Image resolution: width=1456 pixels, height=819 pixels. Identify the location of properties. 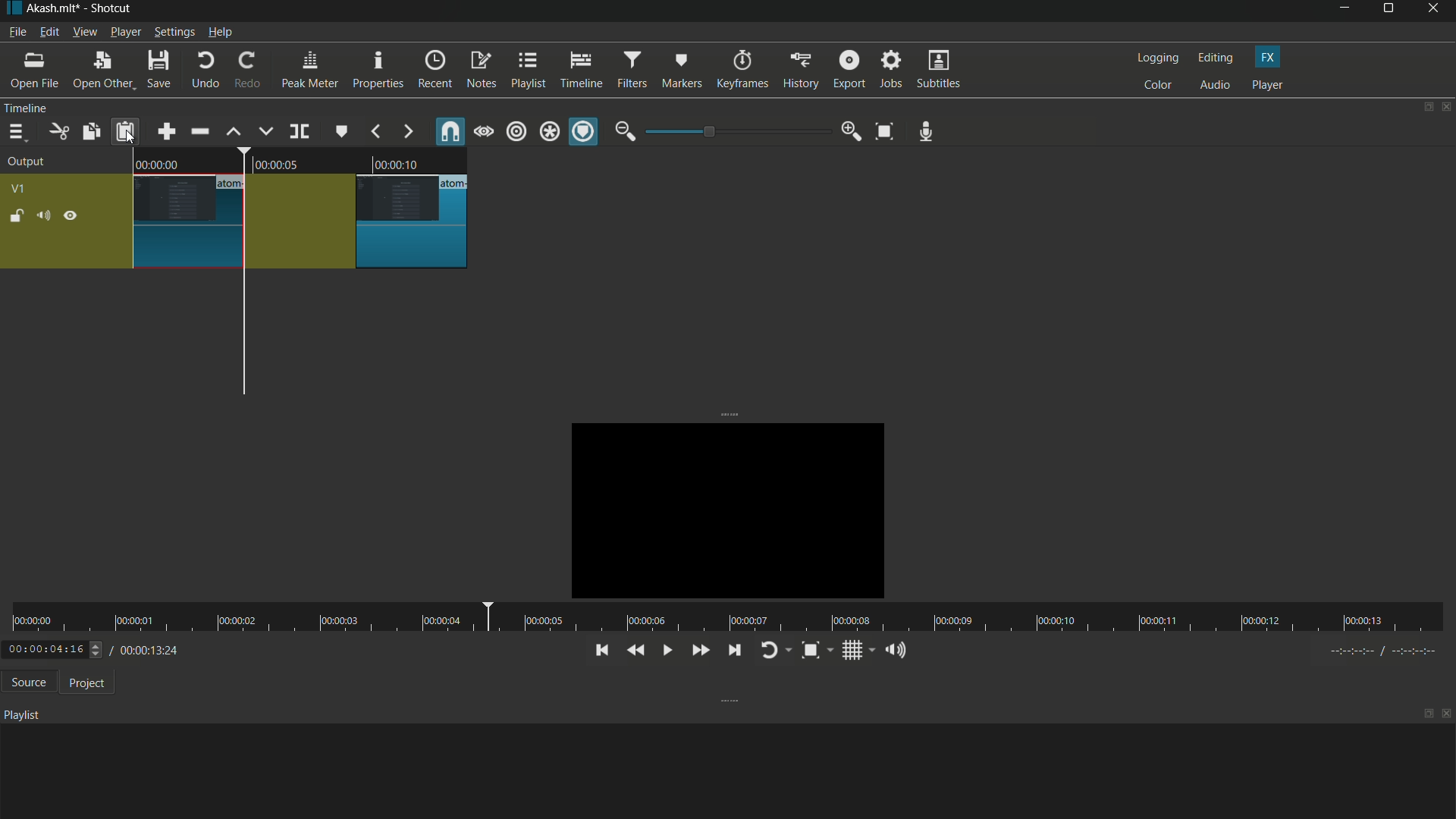
(376, 70).